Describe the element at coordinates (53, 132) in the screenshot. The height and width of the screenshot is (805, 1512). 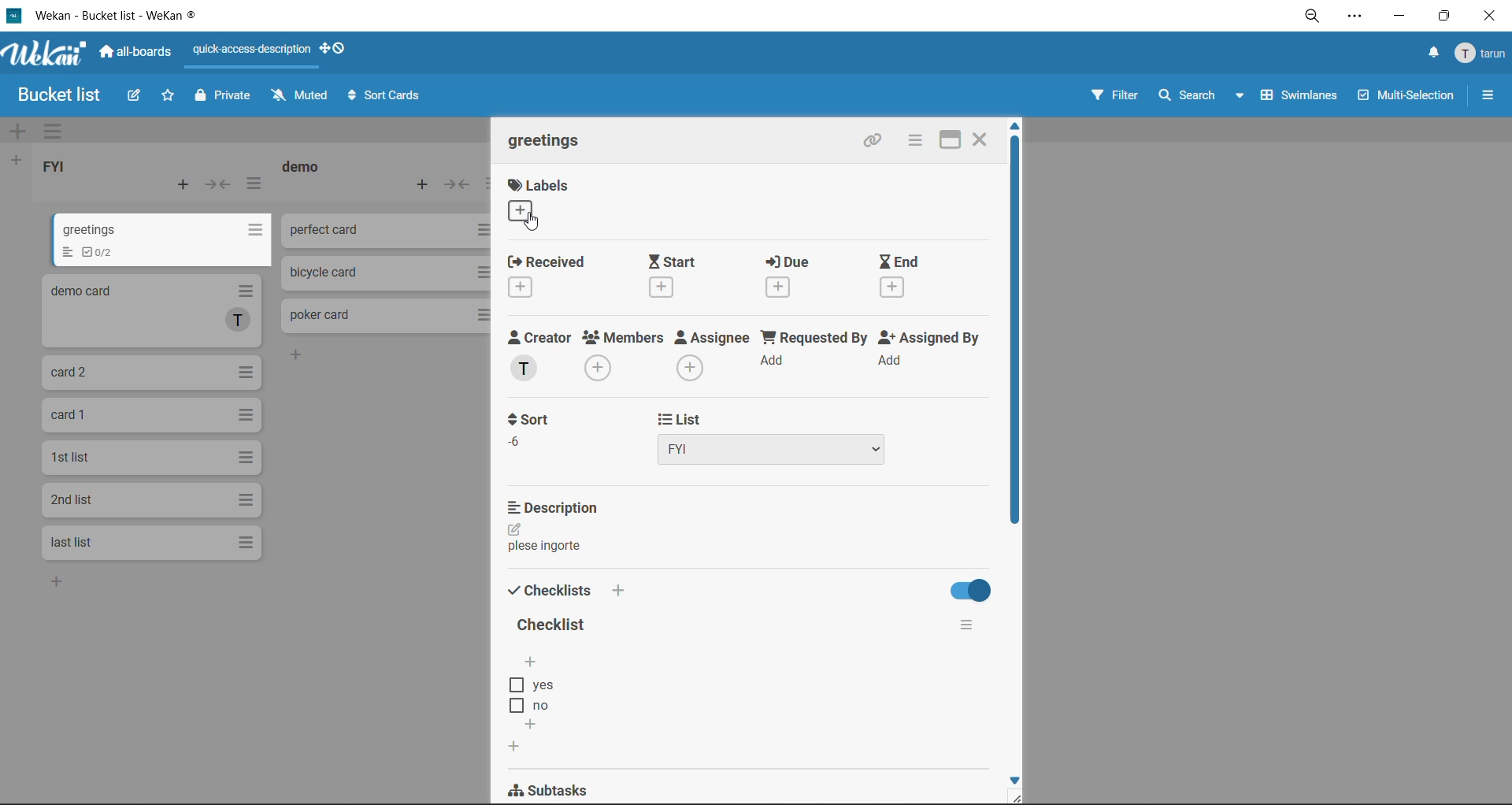
I see `swimlane actions` at that location.